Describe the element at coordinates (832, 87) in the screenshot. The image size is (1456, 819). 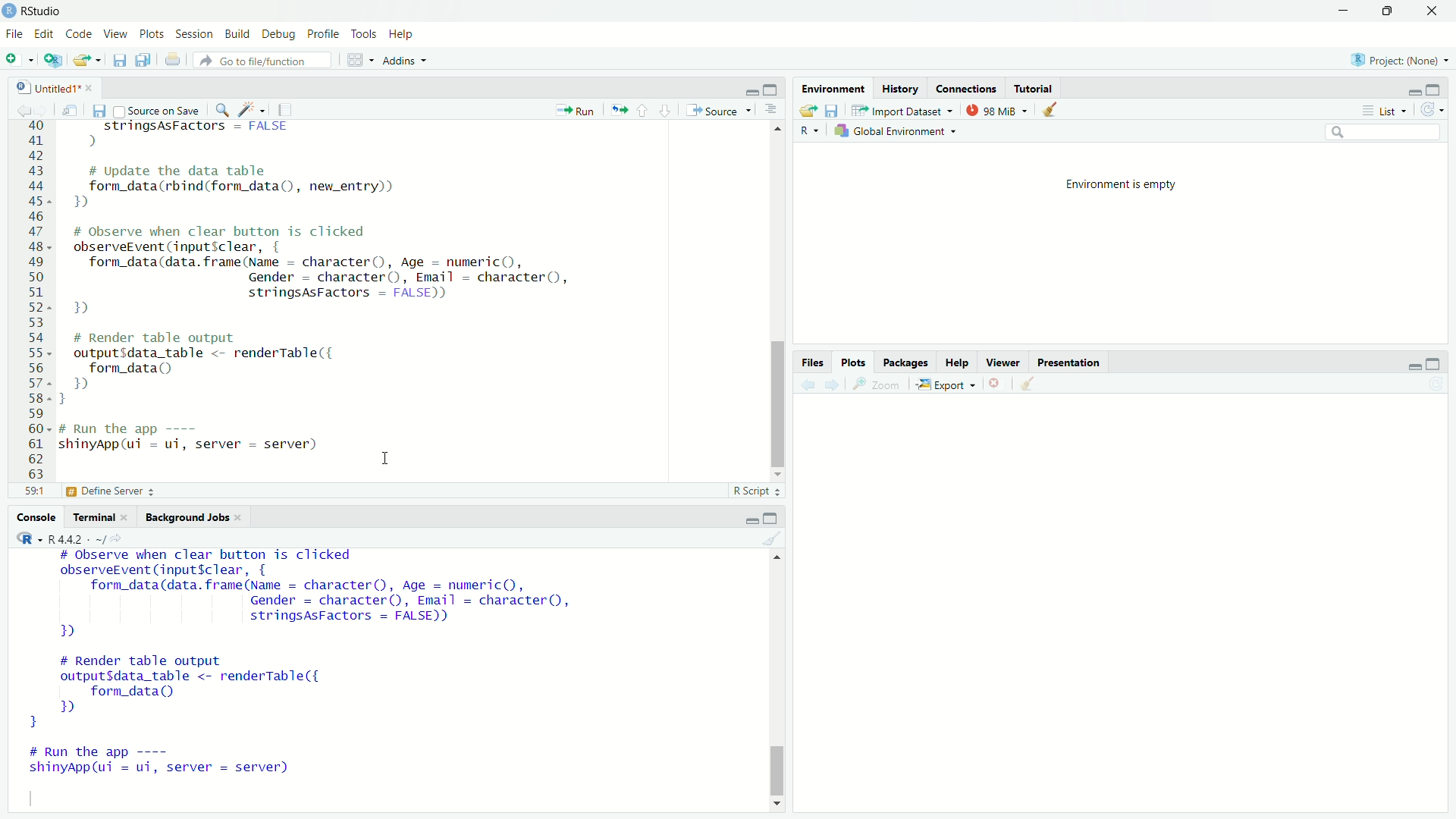
I see `environment` at that location.